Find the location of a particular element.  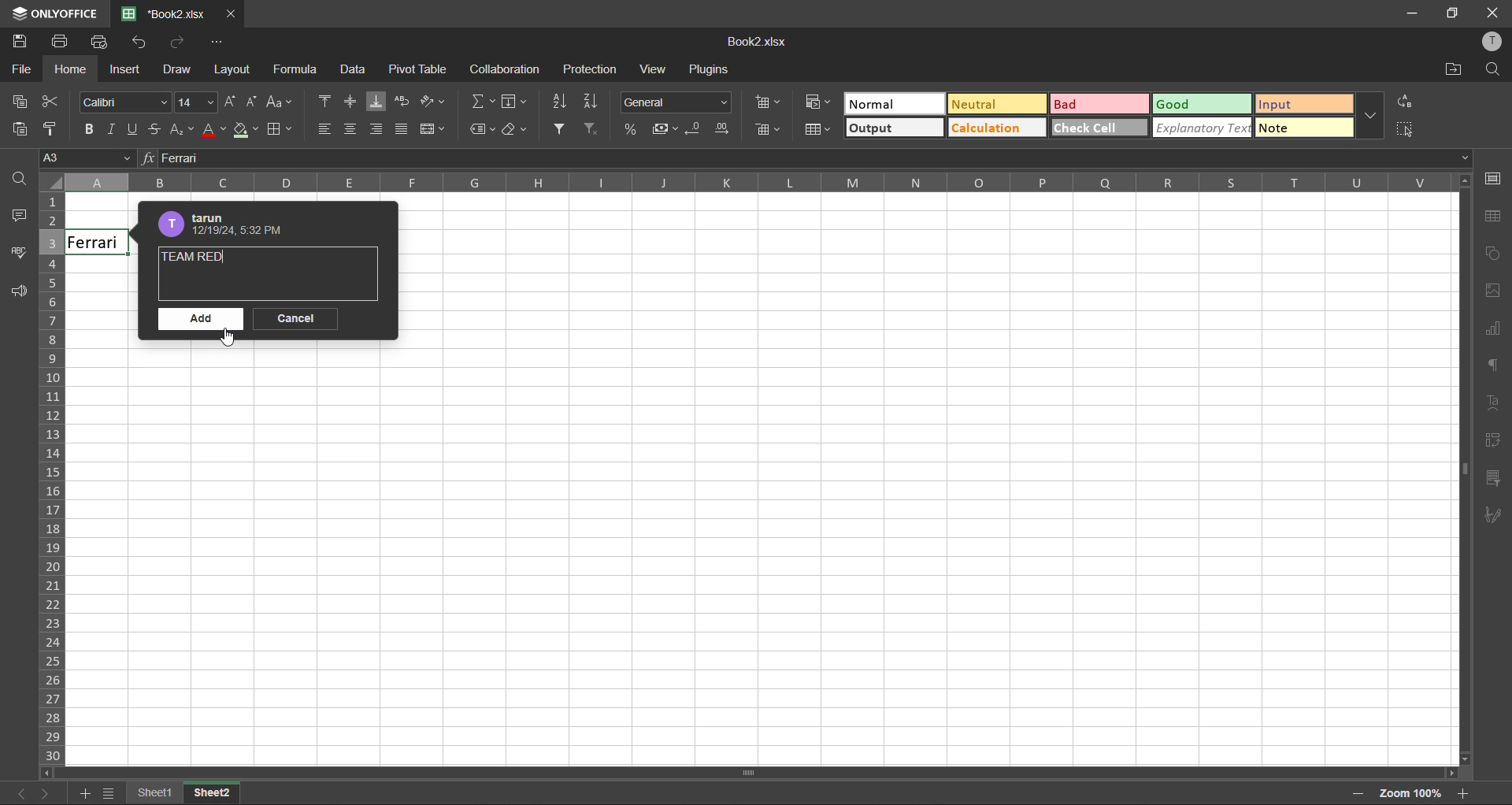

Team Red is located at coordinates (198, 256).